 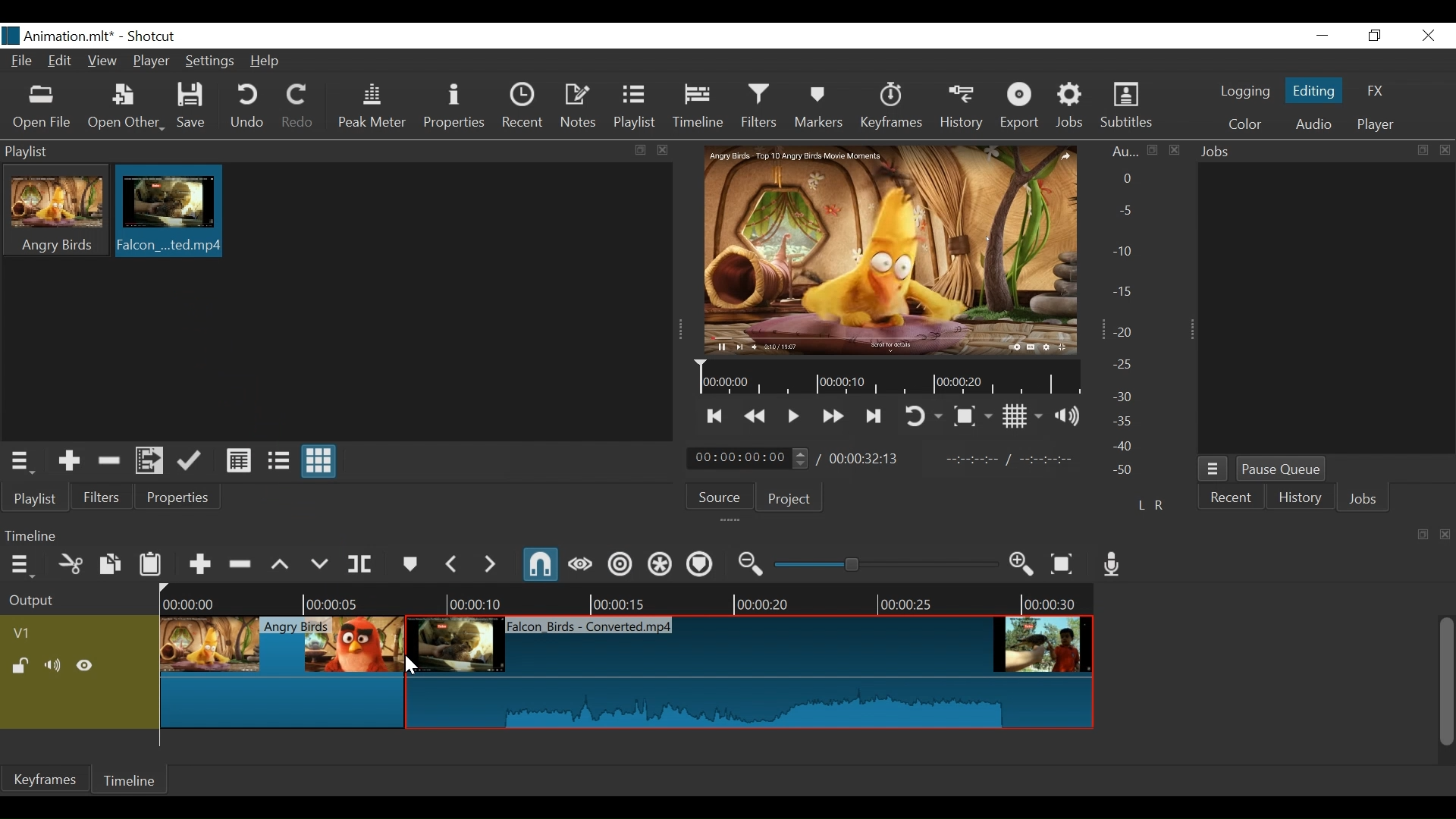 I want to click on Add files to the playlist, so click(x=149, y=460).